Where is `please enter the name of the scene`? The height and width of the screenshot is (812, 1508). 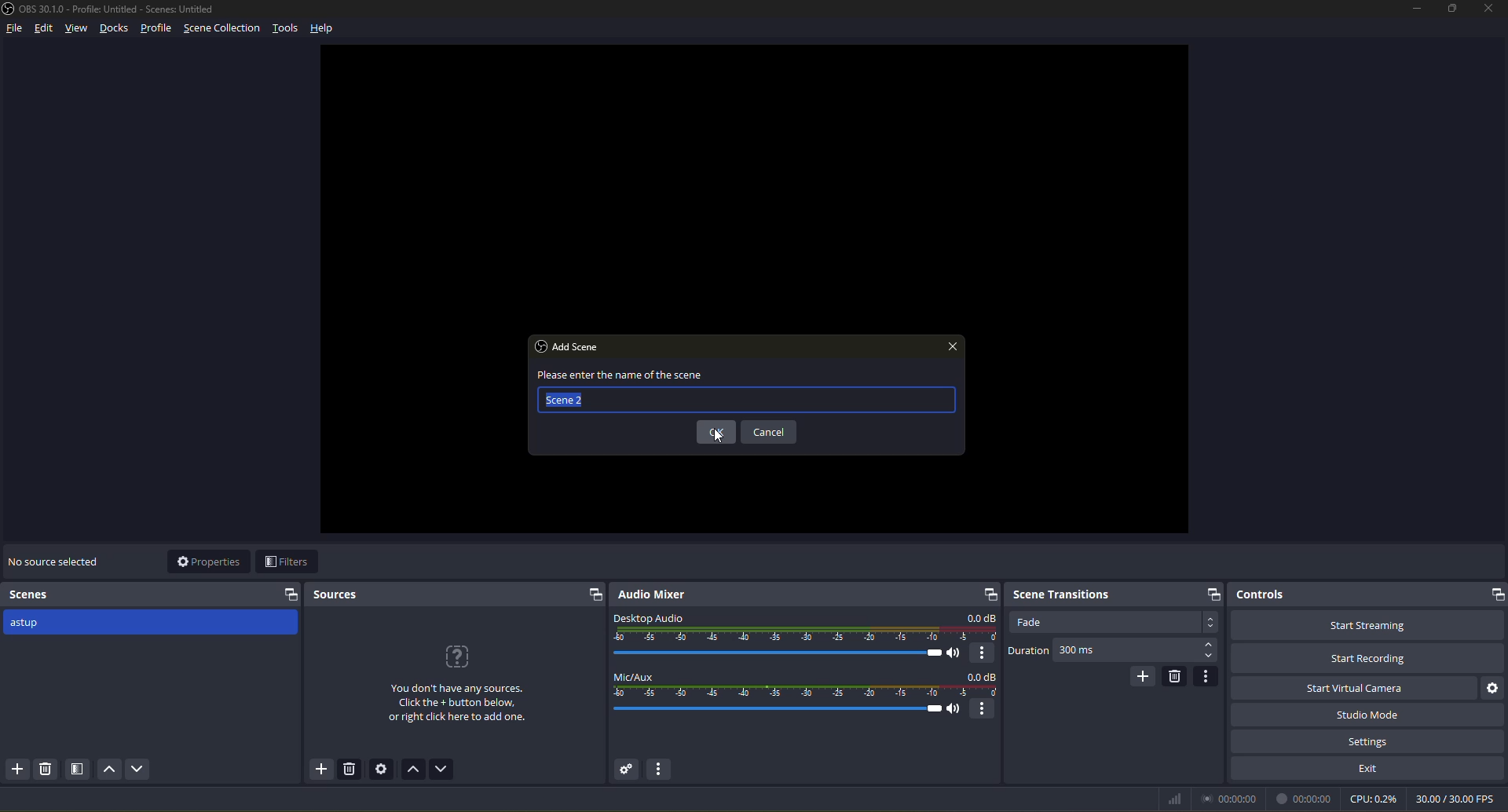 please enter the name of the scene is located at coordinates (631, 375).